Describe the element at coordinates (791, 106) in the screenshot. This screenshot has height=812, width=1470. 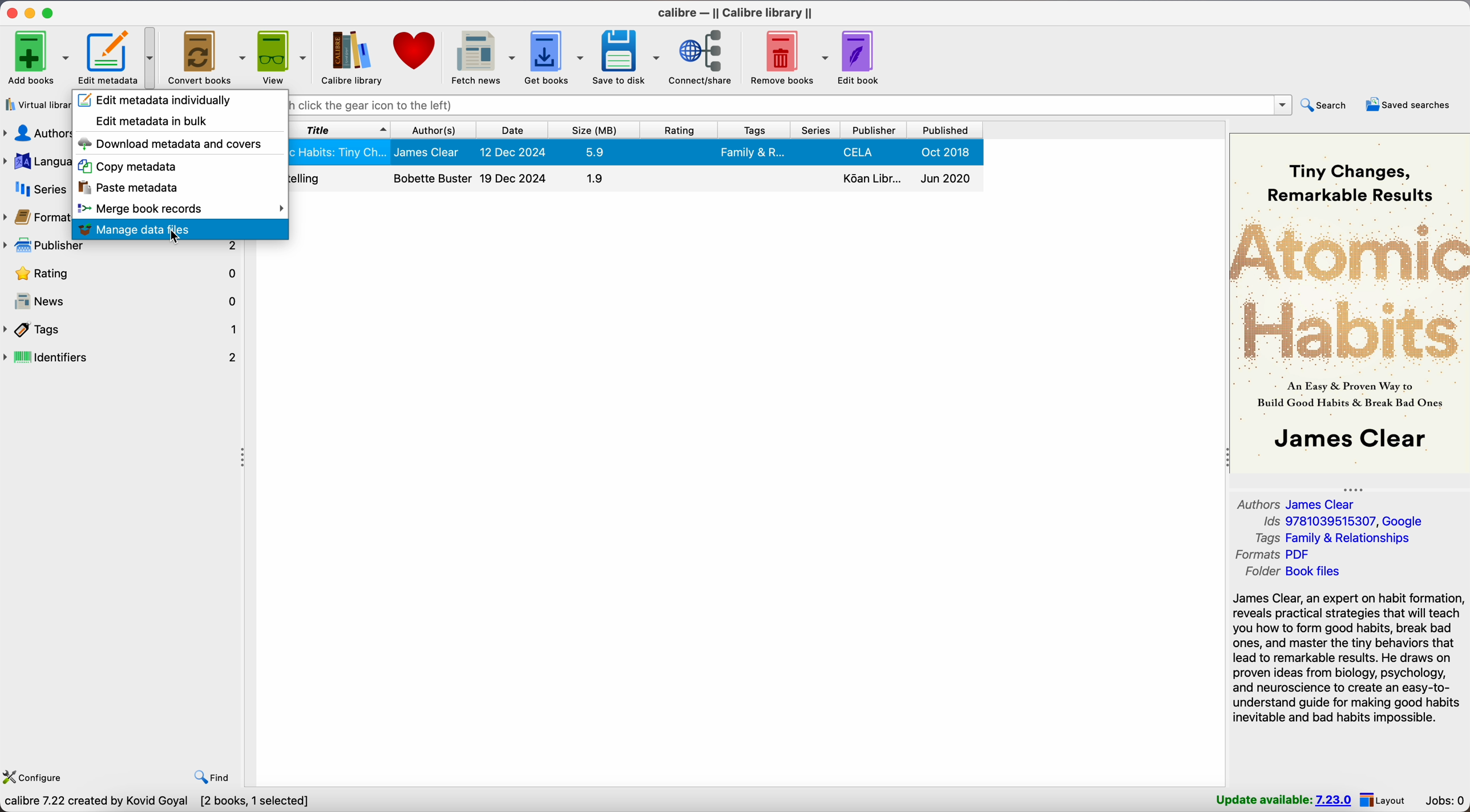
I see `search bar` at that location.